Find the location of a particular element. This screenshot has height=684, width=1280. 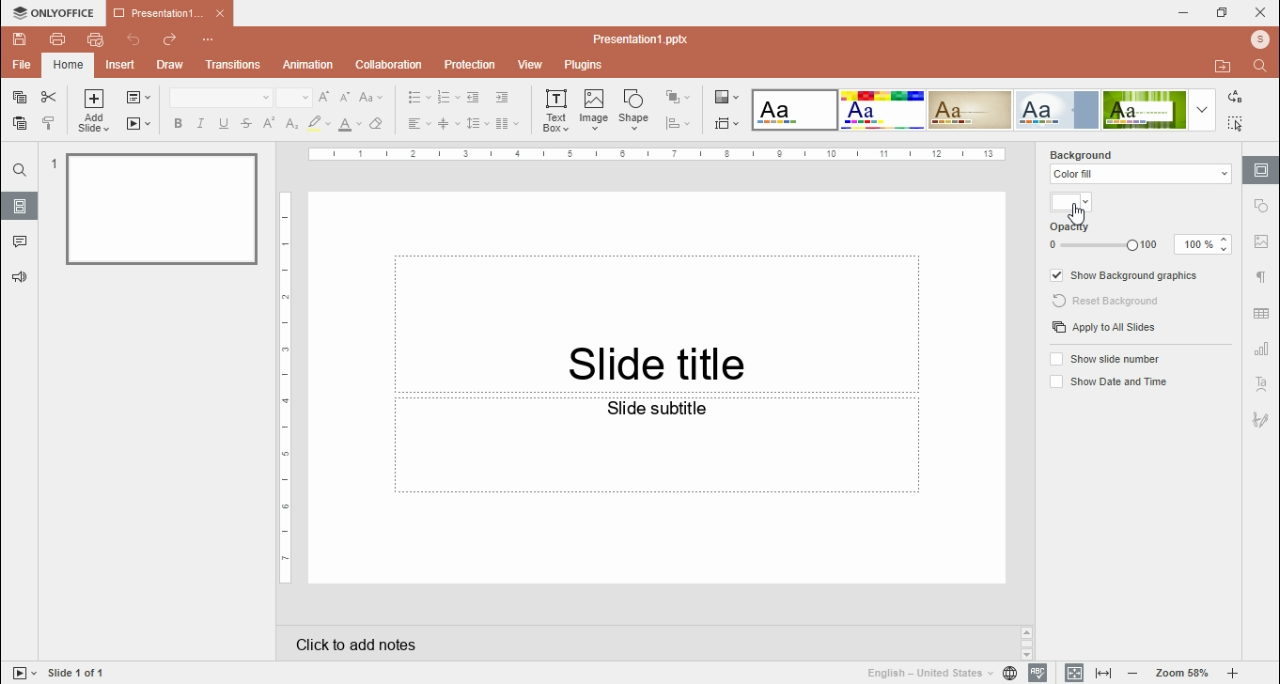

bullets is located at coordinates (420, 98).